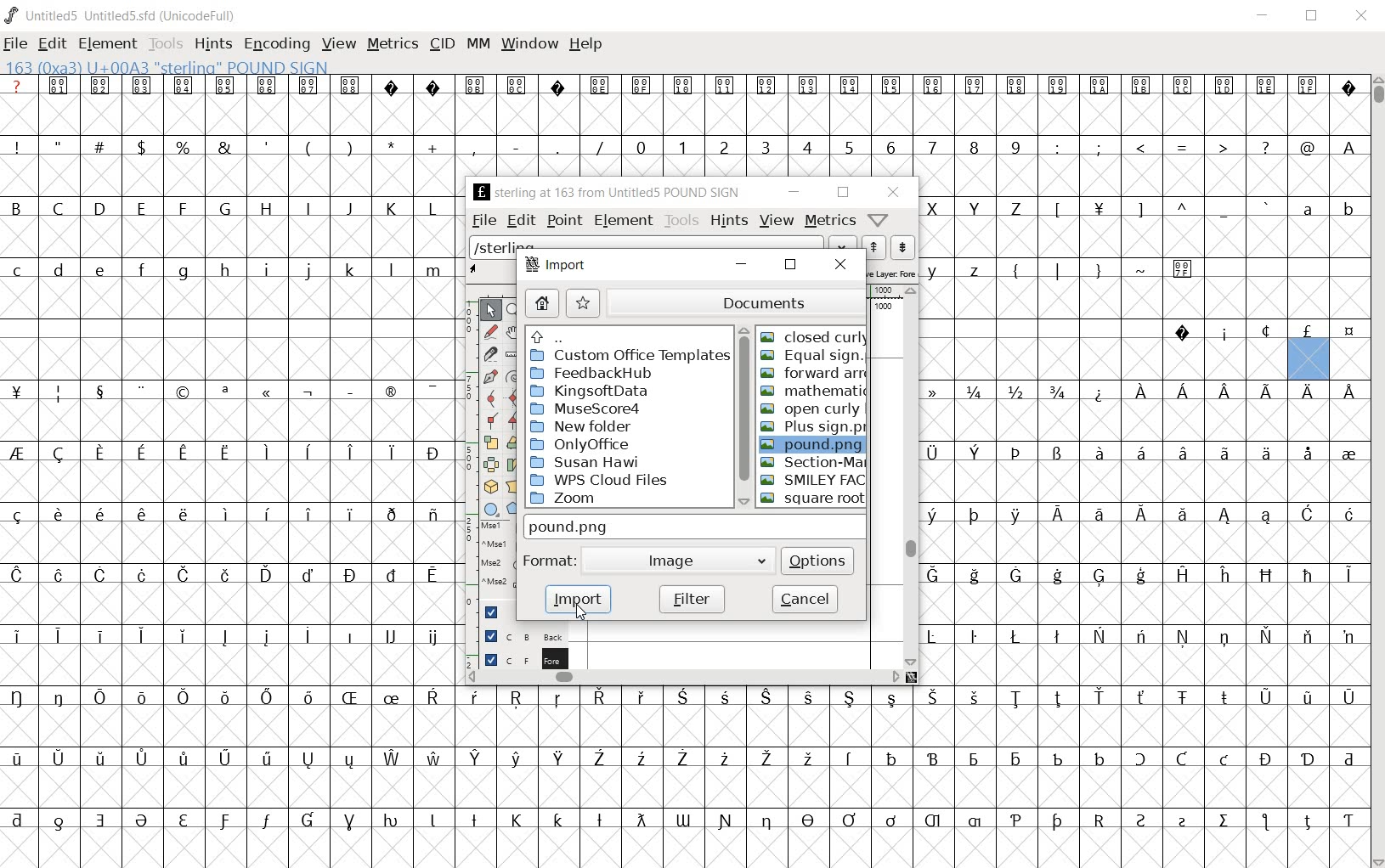  Describe the element at coordinates (1308, 392) in the screenshot. I see `Symbol` at that location.